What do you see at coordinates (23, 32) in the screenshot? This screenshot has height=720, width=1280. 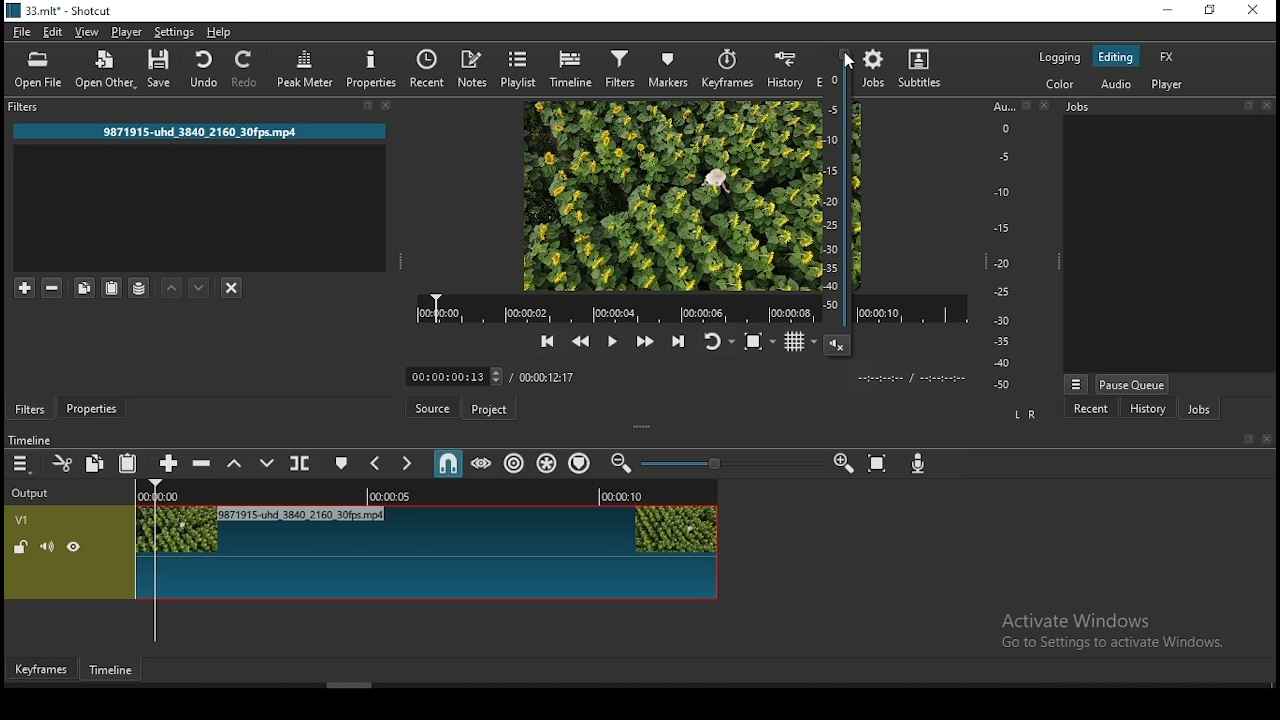 I see `file` at bounding box center [23, 32].